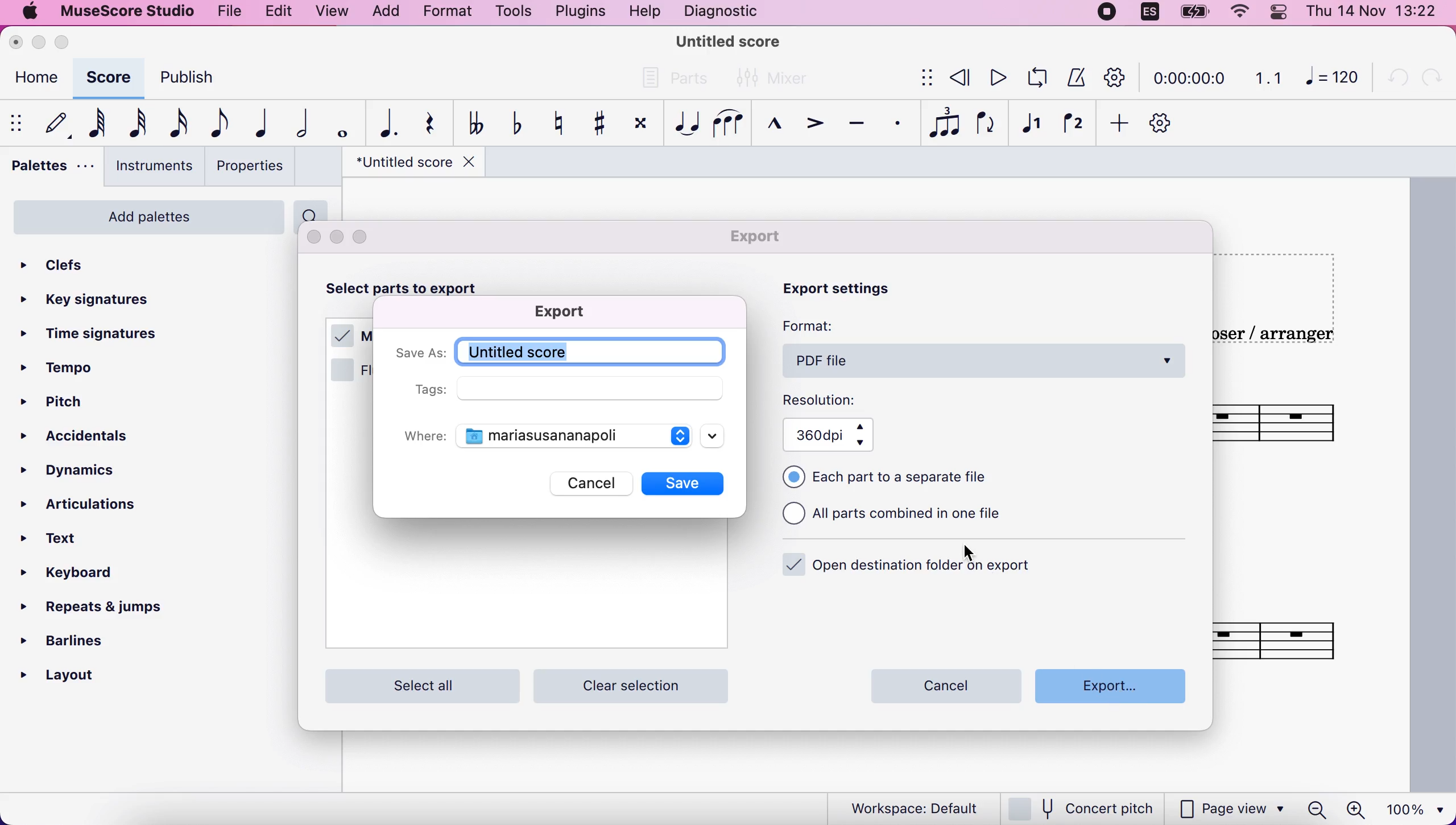  Describe the element at coordinates (1074, 78) in the screenshot. I see `metronome` at that location.